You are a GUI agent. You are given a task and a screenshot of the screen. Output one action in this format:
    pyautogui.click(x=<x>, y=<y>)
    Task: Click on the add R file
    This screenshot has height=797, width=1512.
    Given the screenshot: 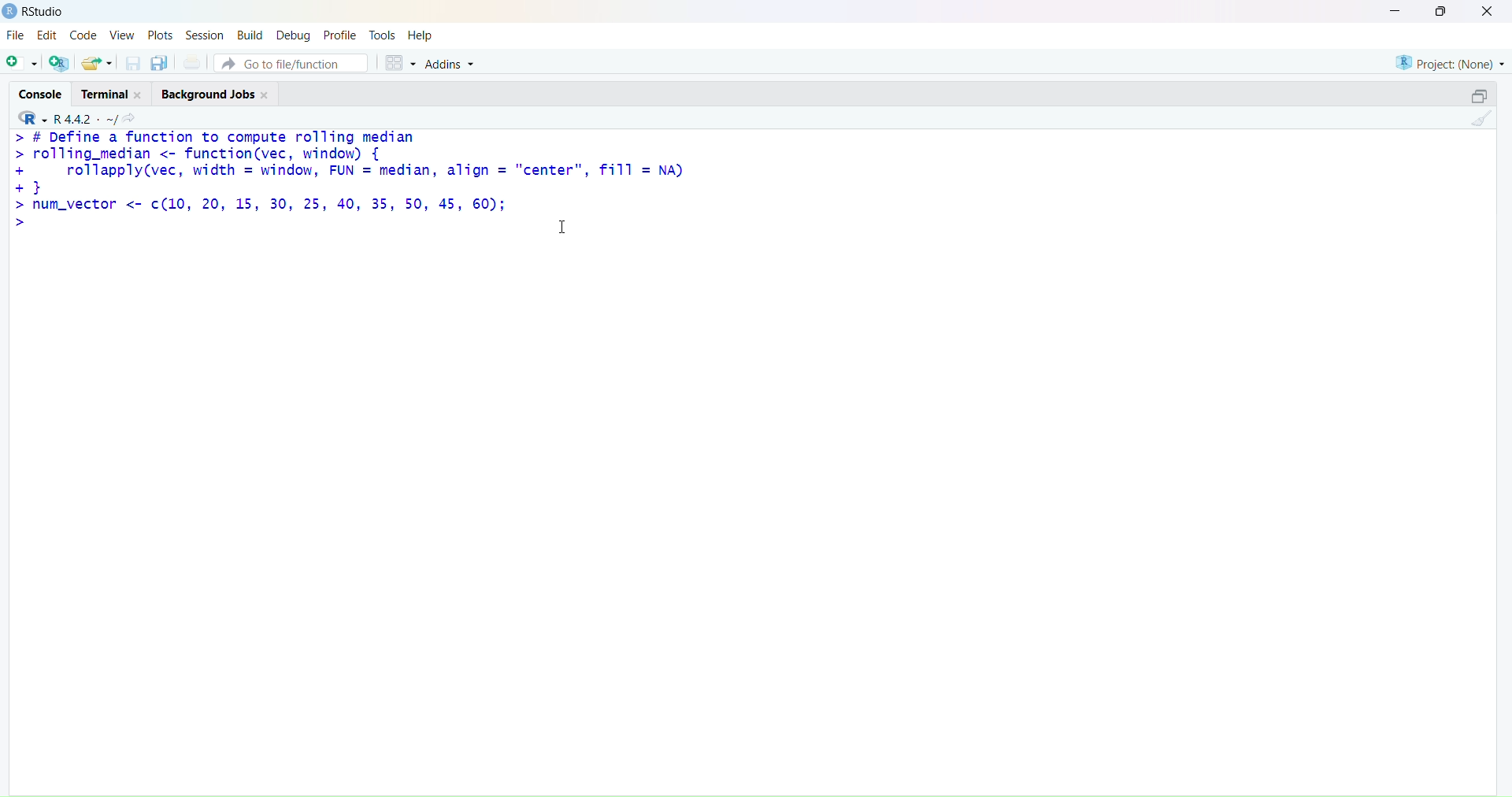 What is the action you would take?
    pyautogui.click(x=60, y=64)
    